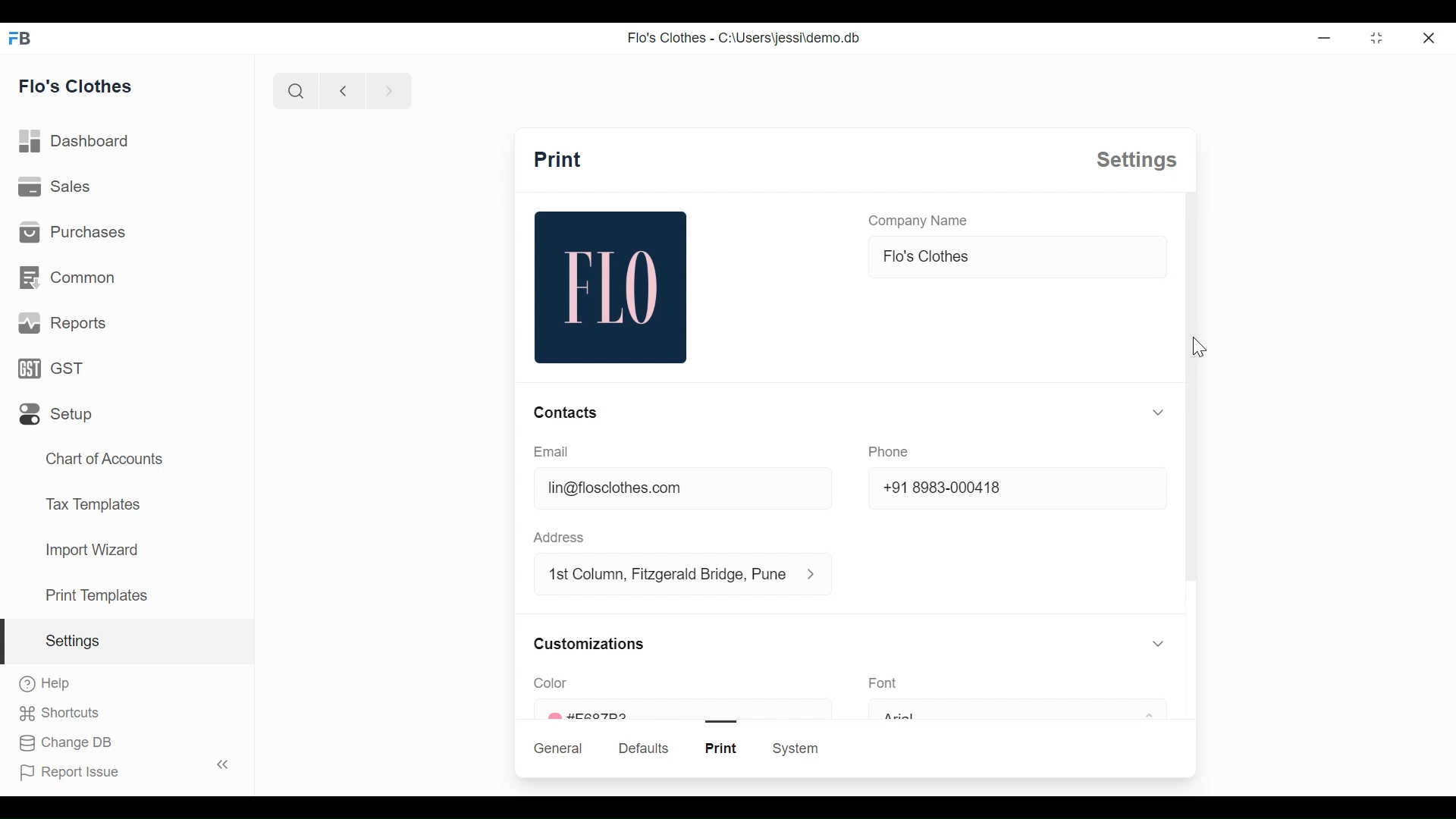 The height and width of the screenshot is (819, 1456). Describe the element at coordinates (1191, 386) in the screenshot. I see `scroll bar` at that location.